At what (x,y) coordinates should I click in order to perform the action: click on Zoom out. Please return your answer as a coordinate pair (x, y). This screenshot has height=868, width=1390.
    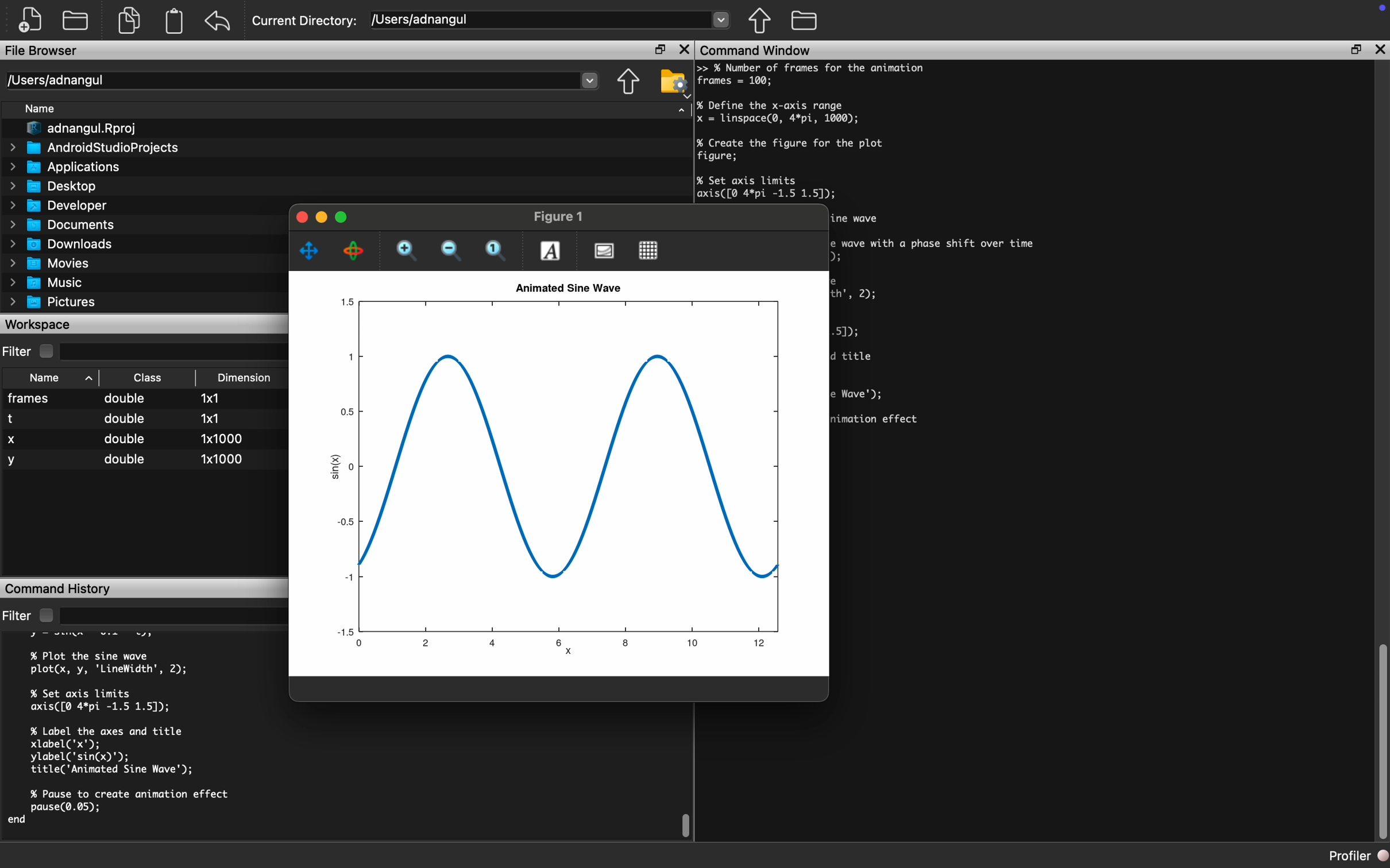
    Looking at the image, I should click on (451, 251).